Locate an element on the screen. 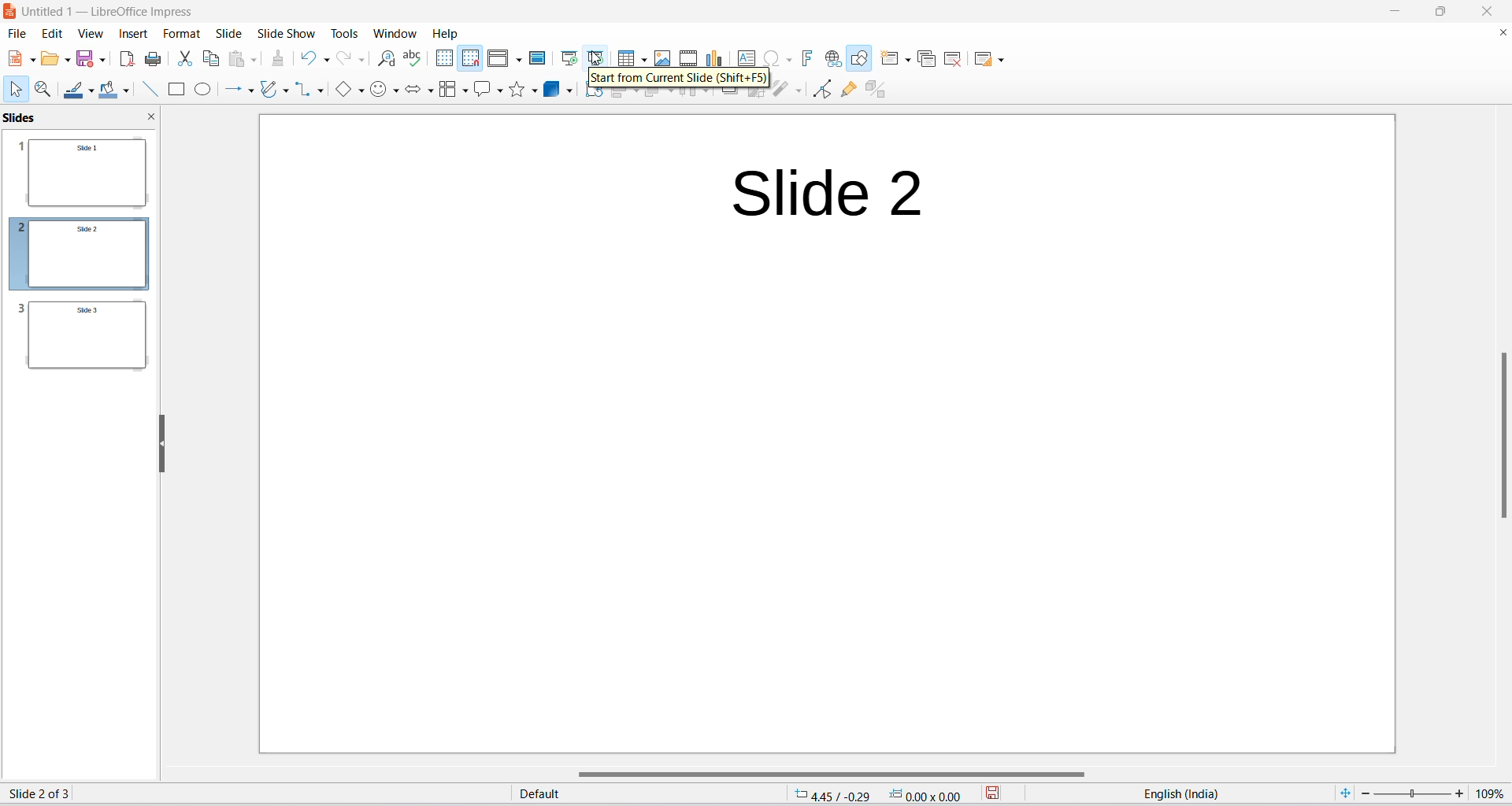 The image size is (1512, 806). redo options is located at coordinates (365, 59).